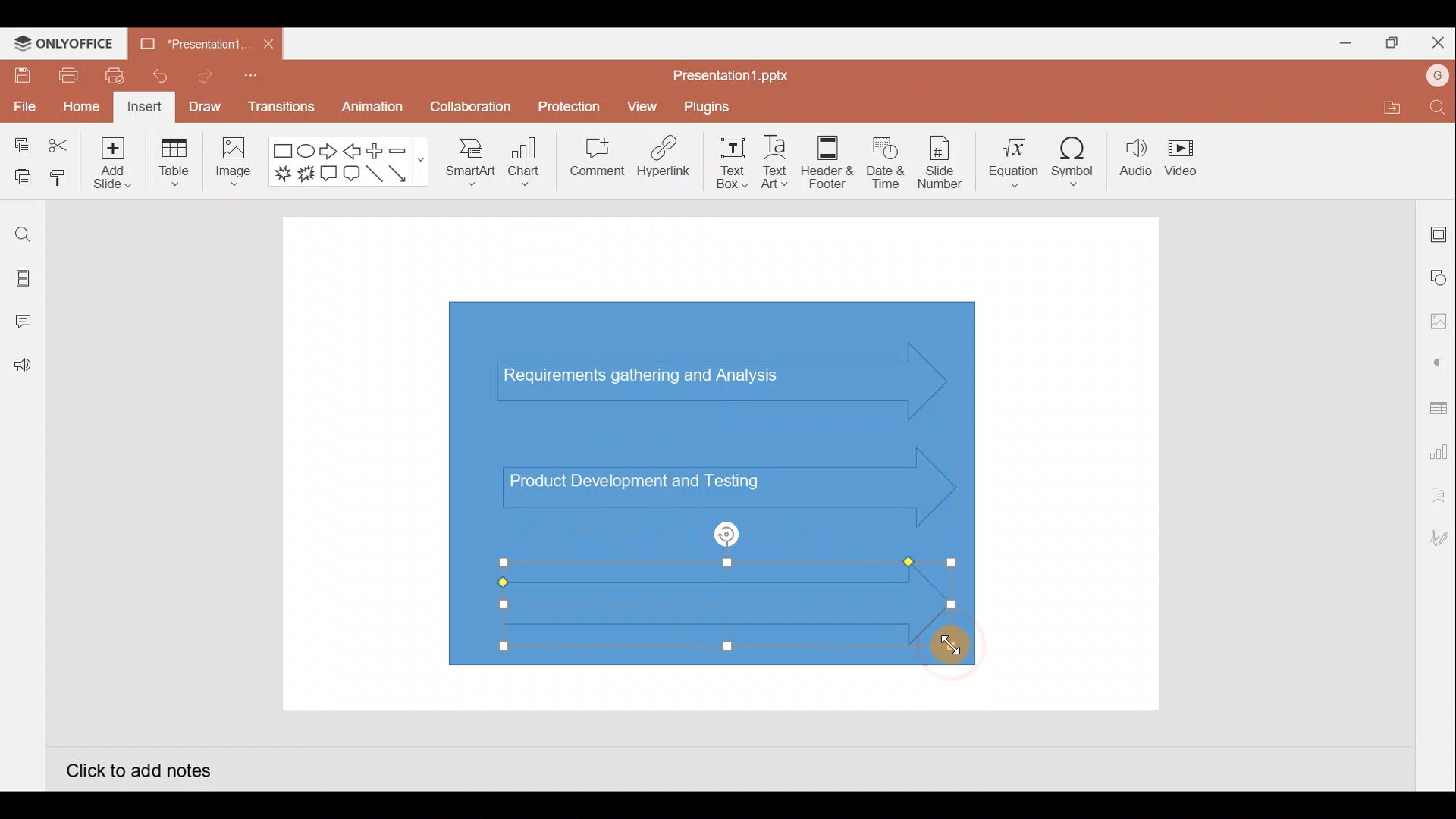 This screenshot has height=819, width=1456. I want to click on Chart, so click(525, 160).